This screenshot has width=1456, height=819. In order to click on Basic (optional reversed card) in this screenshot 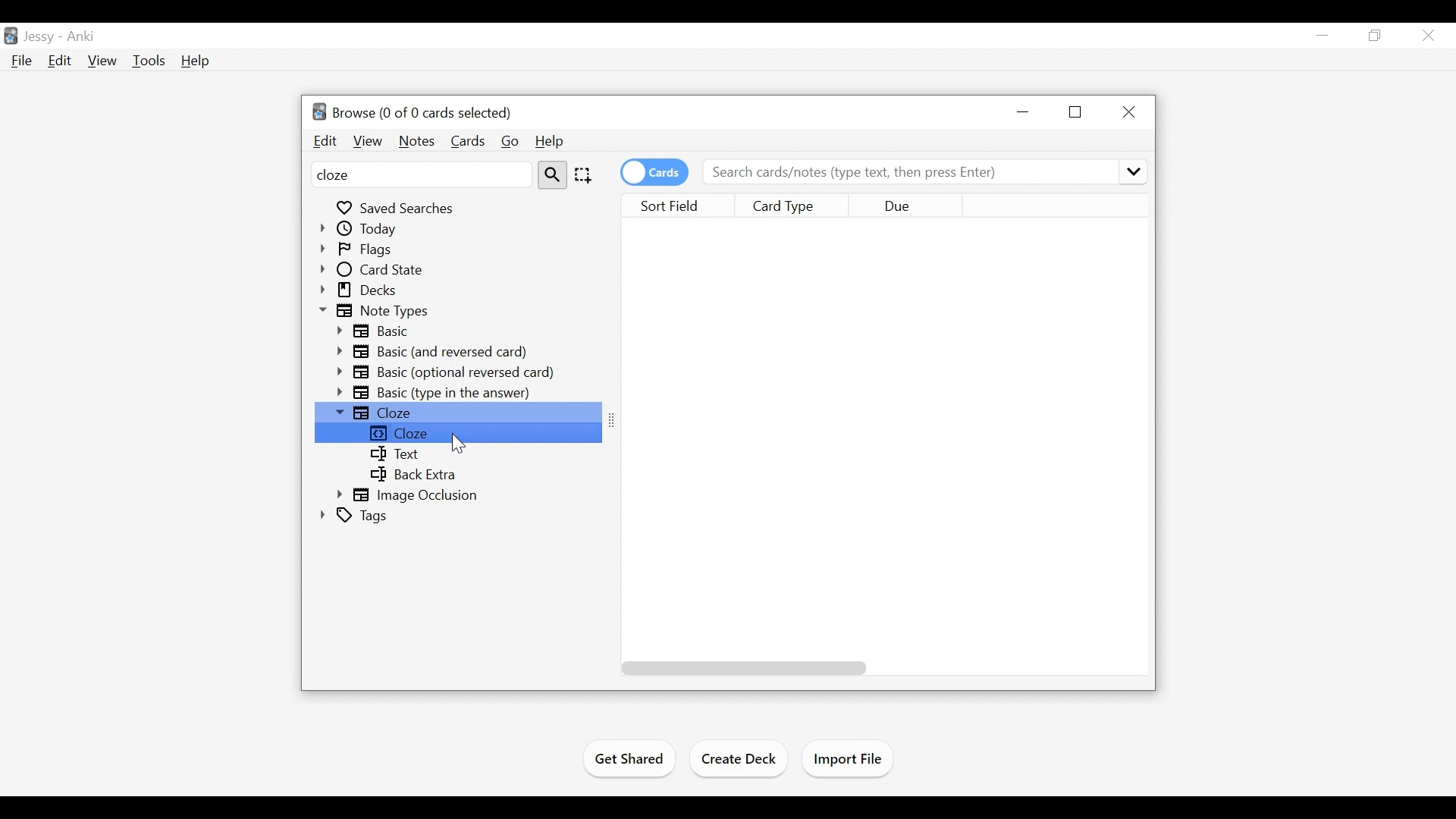, I will do `click(447, 372)`.